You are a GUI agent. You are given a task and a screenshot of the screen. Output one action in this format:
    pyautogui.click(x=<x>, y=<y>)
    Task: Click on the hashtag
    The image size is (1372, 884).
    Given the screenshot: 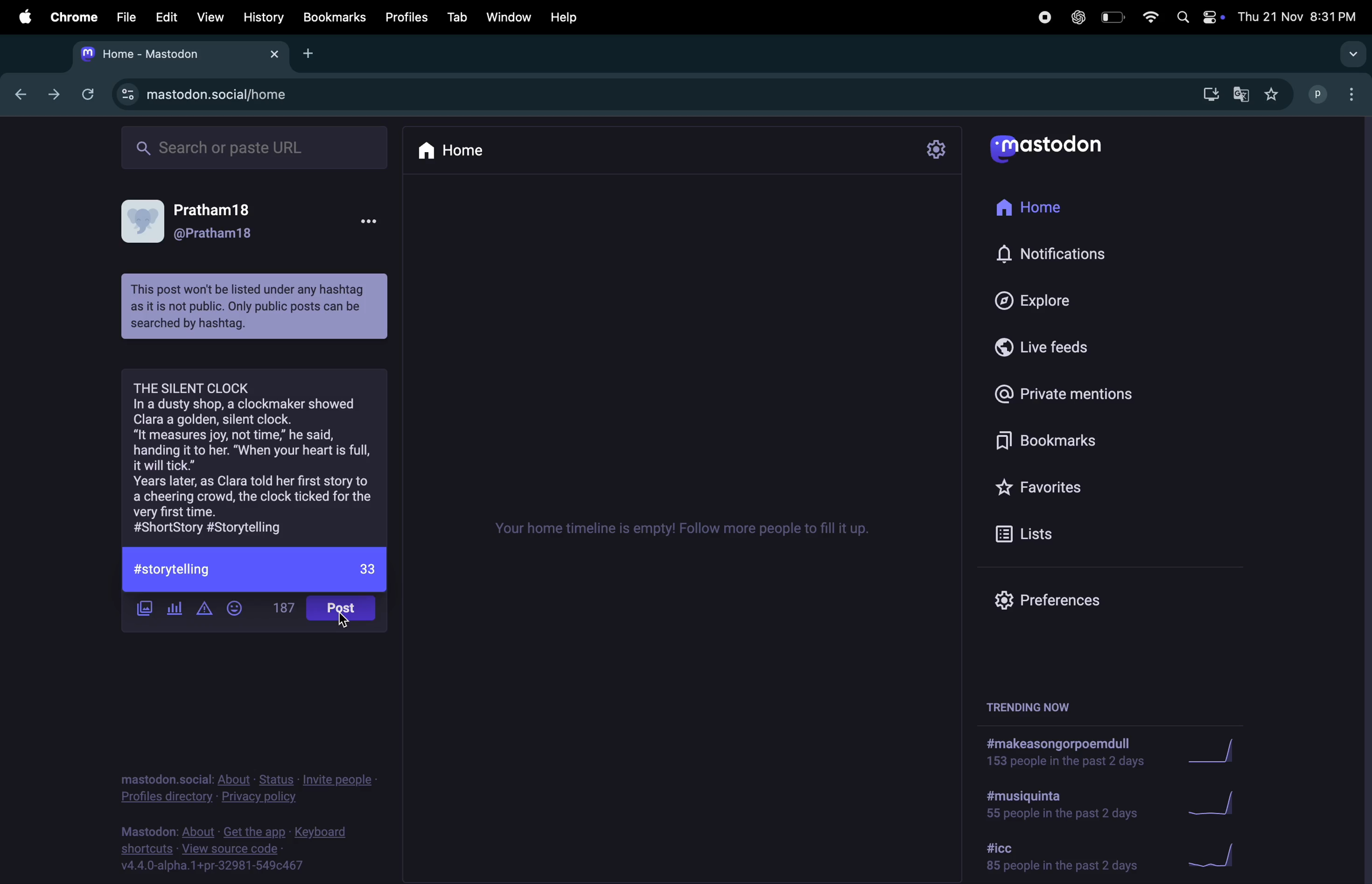 What is the action you would take?
    pyautogui.click(x=1063, y=750)
    